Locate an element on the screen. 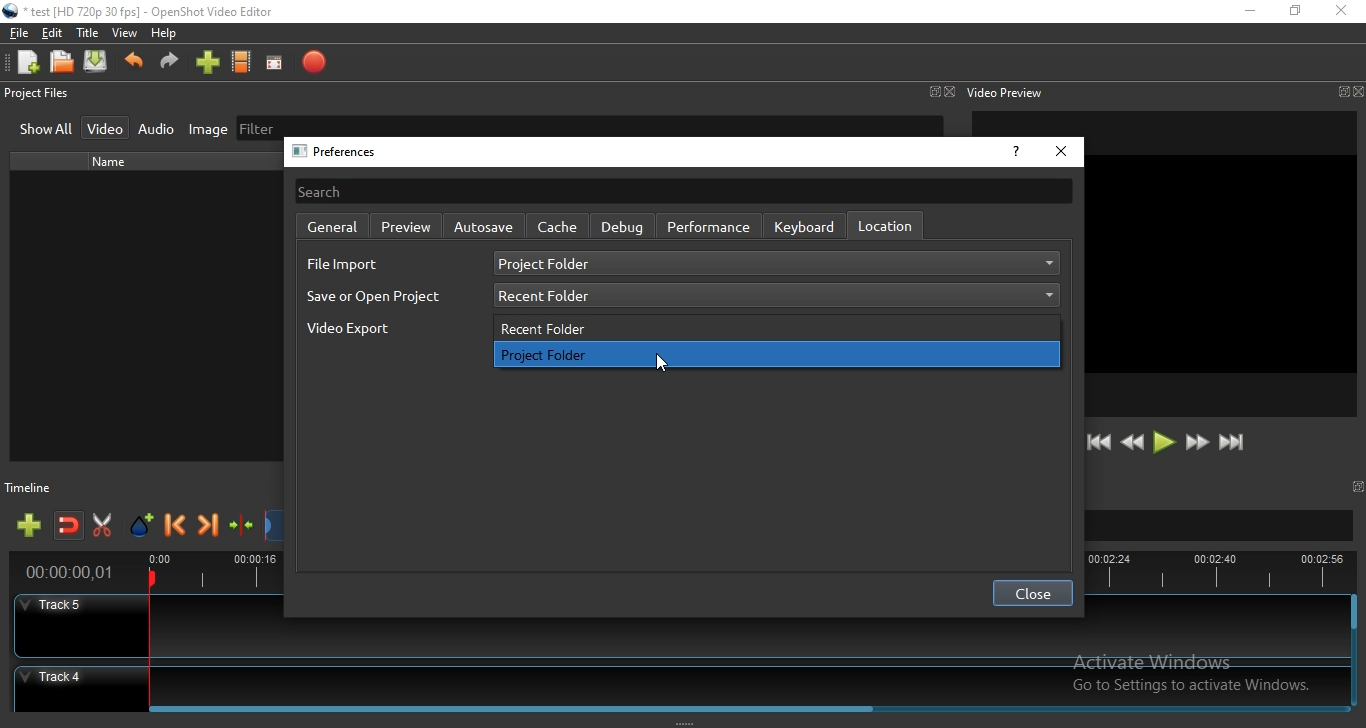  Help is located at coordinates (168, 35).